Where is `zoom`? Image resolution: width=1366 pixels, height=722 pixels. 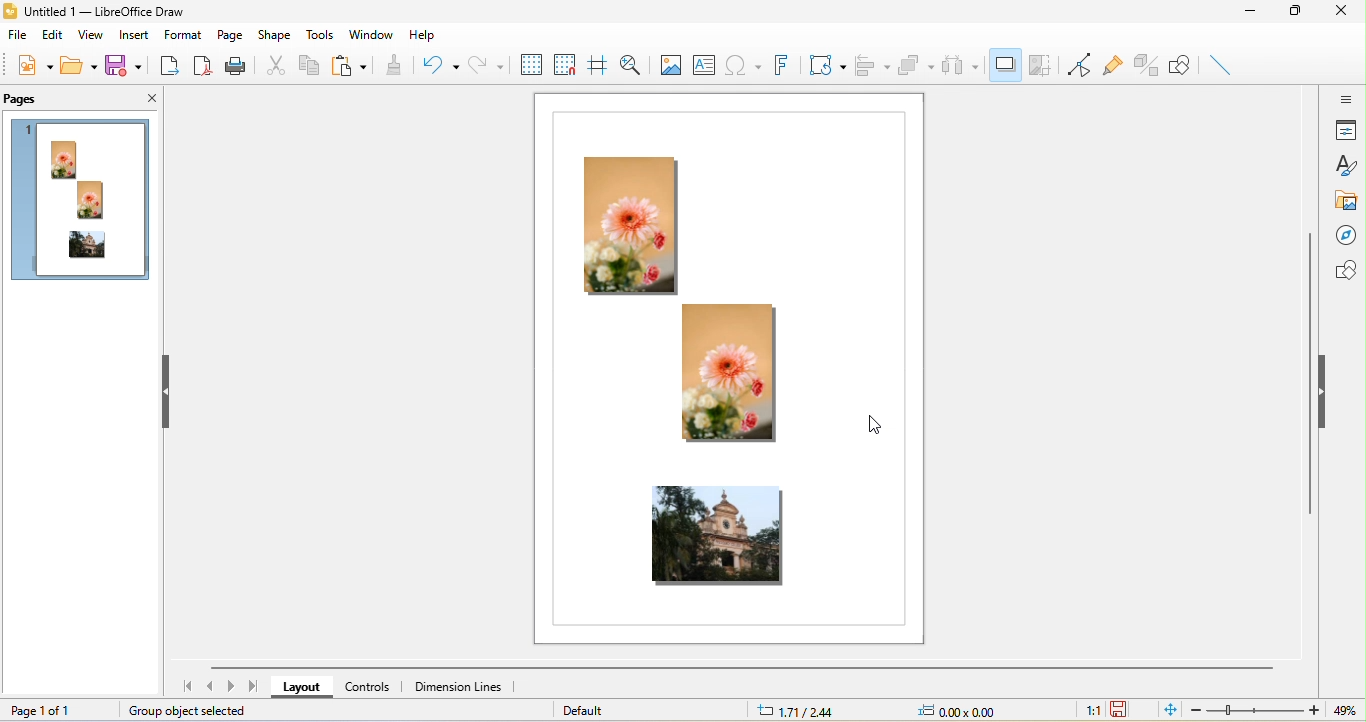
zoom is located at coordinates (1257, 710).